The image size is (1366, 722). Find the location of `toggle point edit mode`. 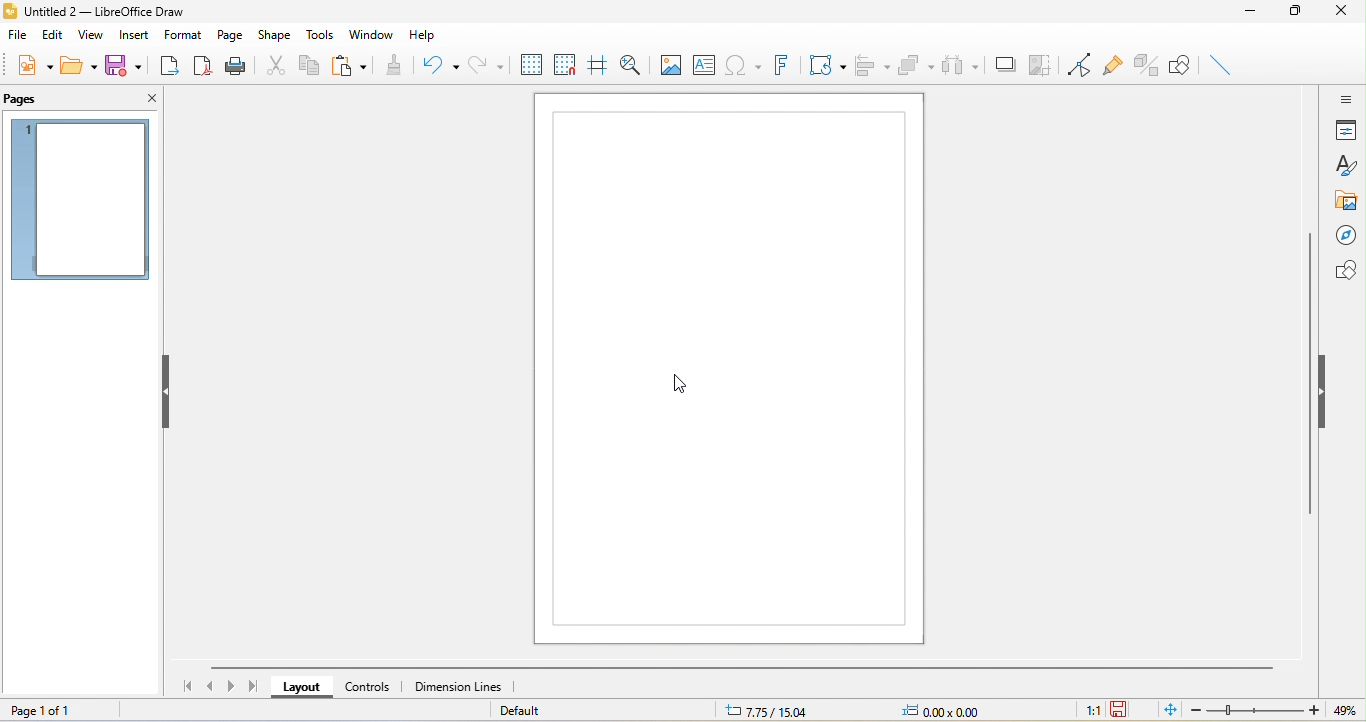

toggle point edit mode is located at coordinates (1078, 64).